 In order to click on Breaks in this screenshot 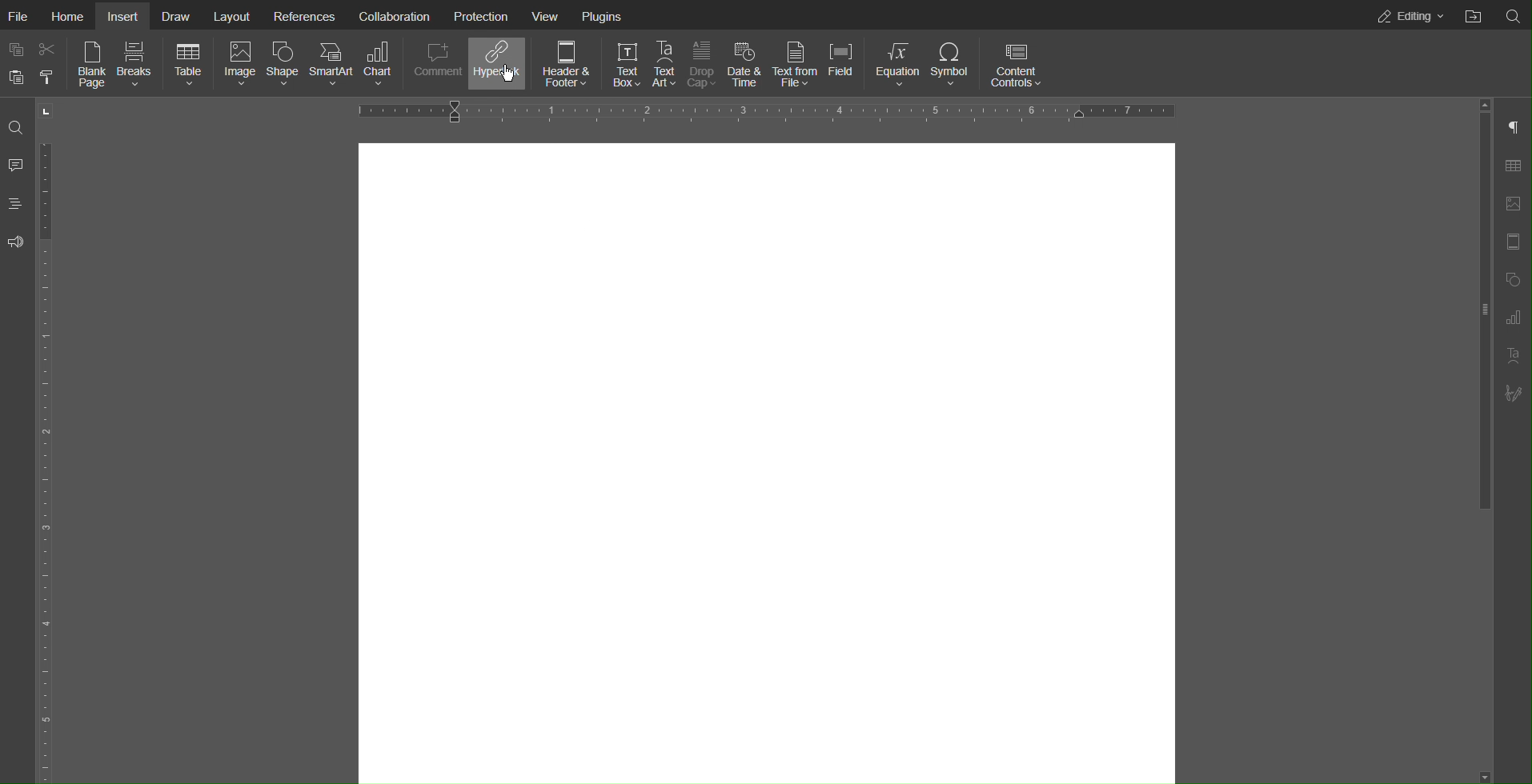, I will do `click(140, 66)`.